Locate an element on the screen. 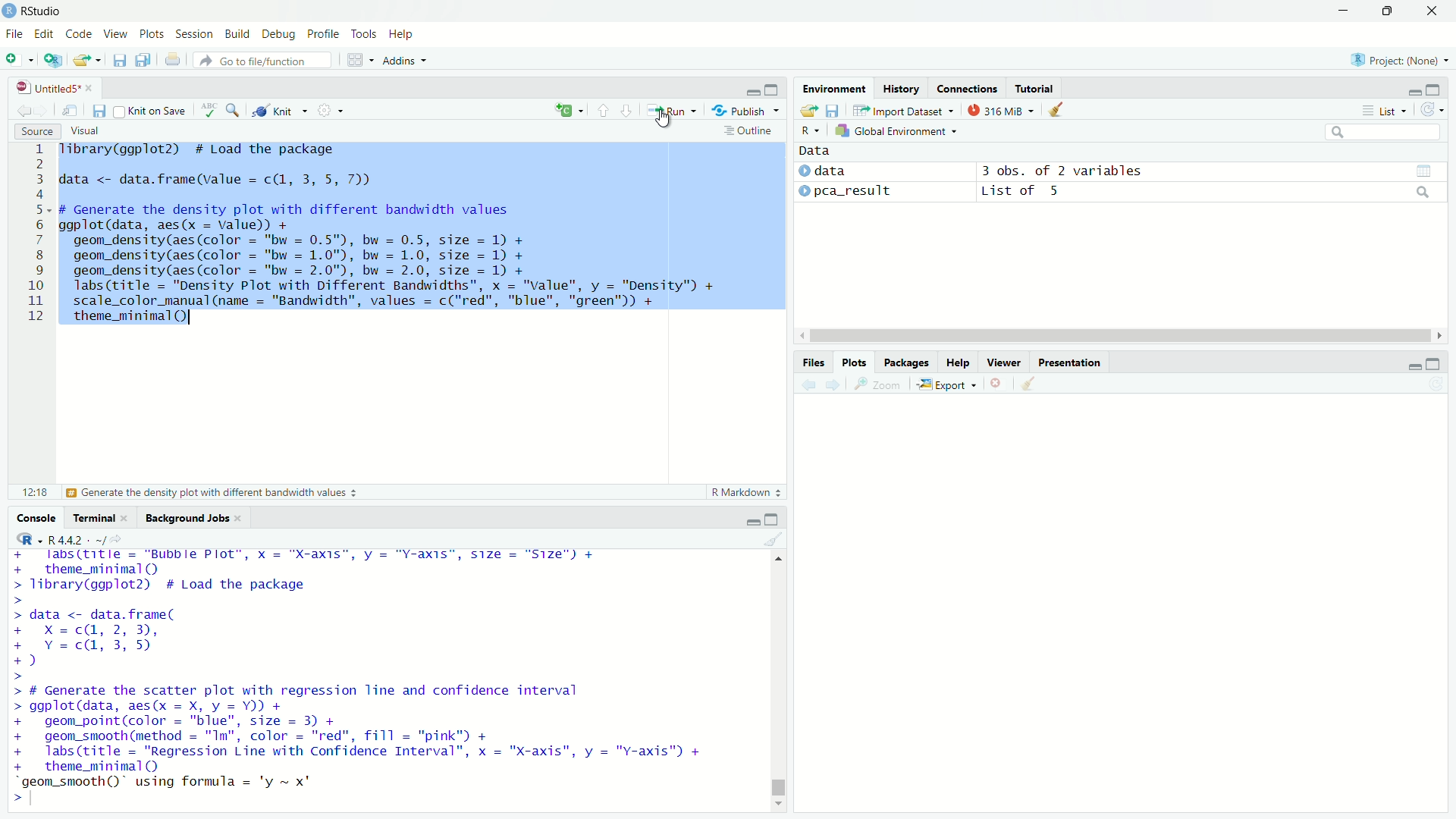  maximize is located at coordinates (1433, 89).